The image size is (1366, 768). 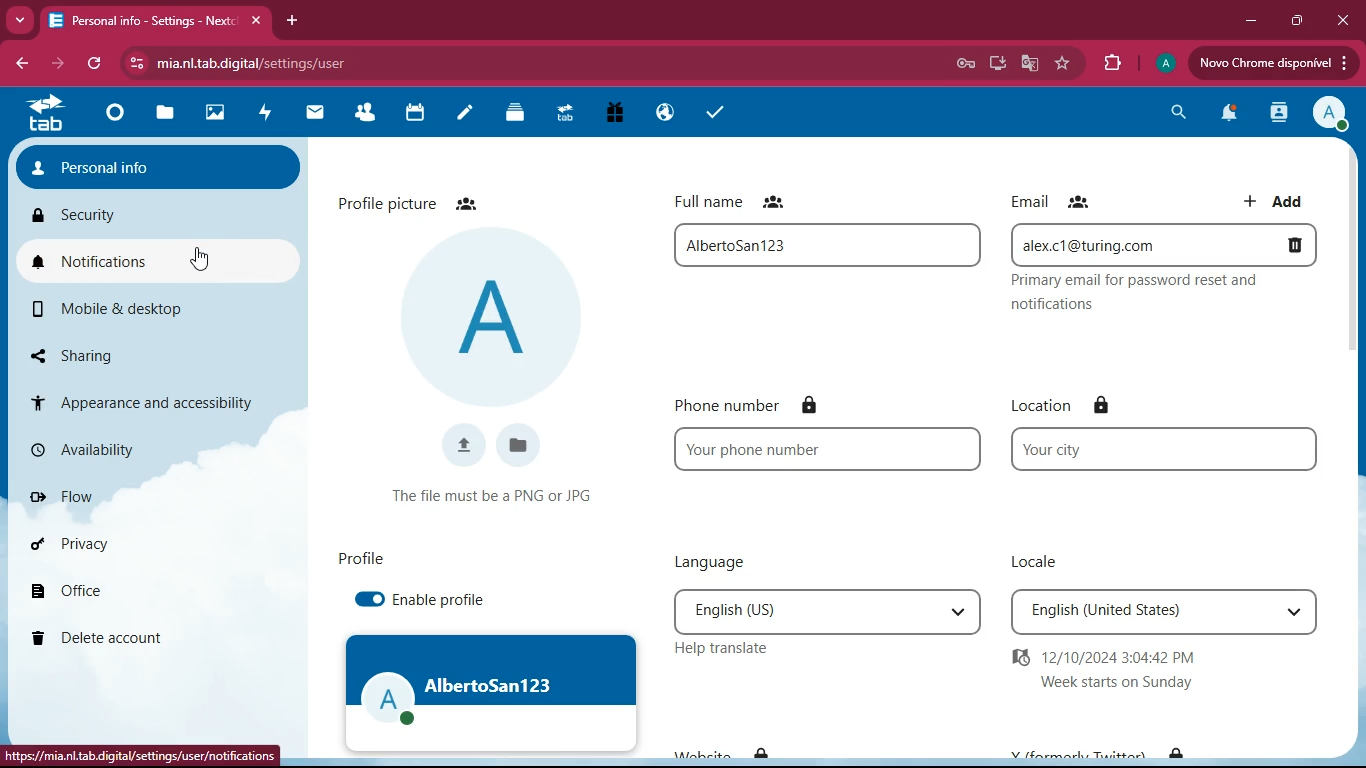 What do you see at coordinates (1001, 63) in the screenshot?
I see `desktop` at bounding box center [1001, 63].